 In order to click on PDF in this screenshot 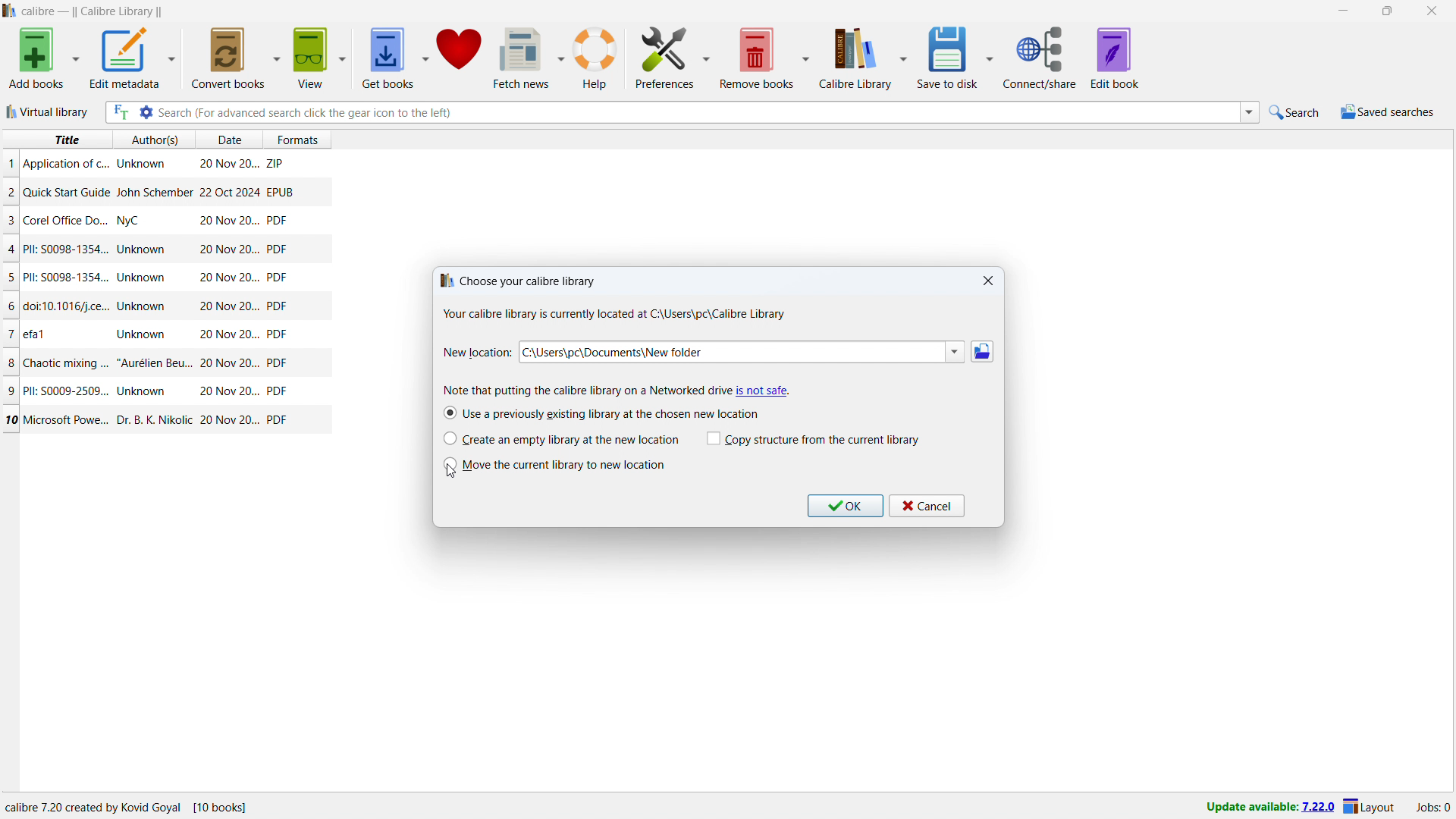, I will do `click(278, 334)`.